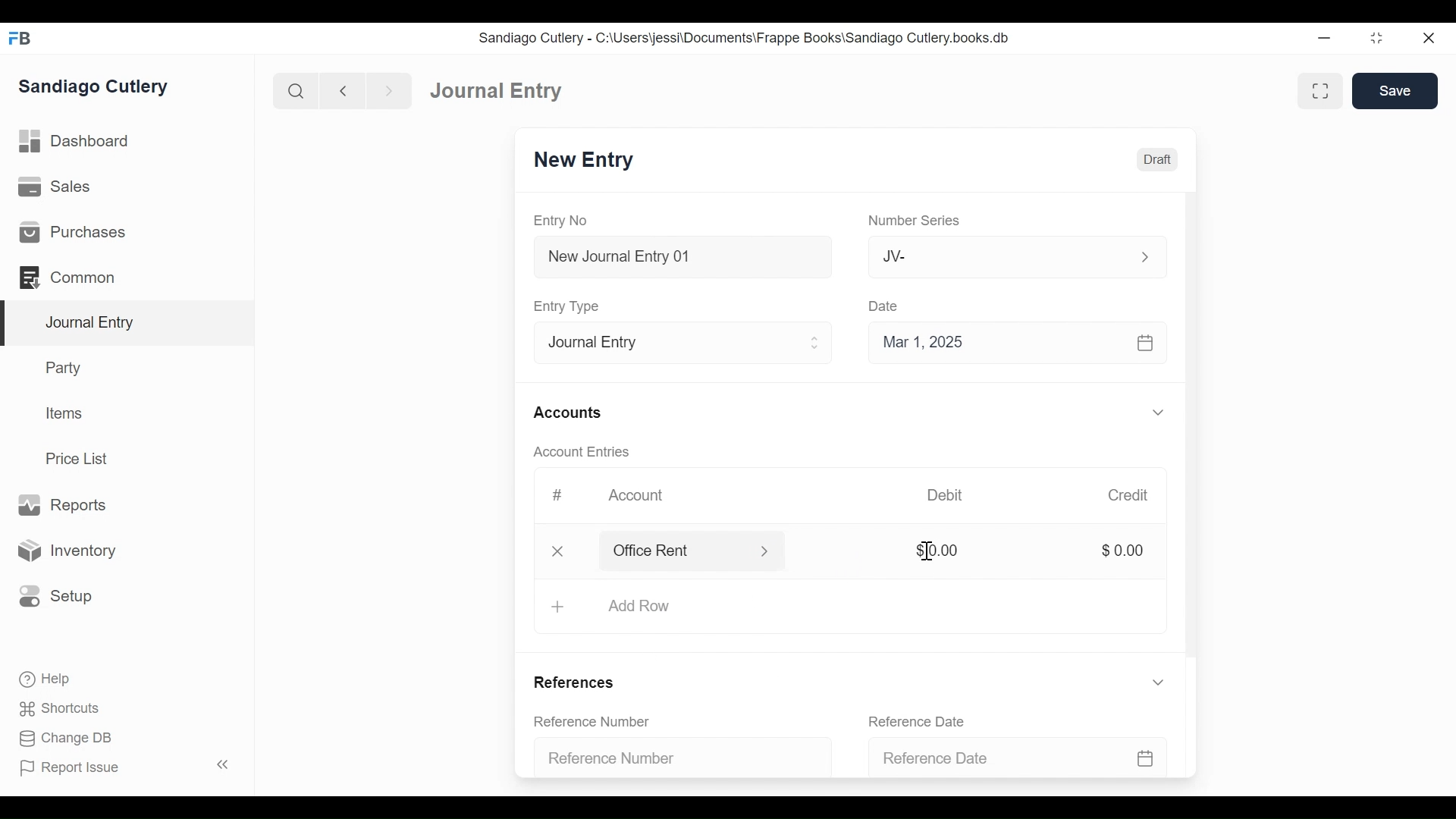 This screenshot has width=1456, height=819. I want to click on back, so click(343, 89).